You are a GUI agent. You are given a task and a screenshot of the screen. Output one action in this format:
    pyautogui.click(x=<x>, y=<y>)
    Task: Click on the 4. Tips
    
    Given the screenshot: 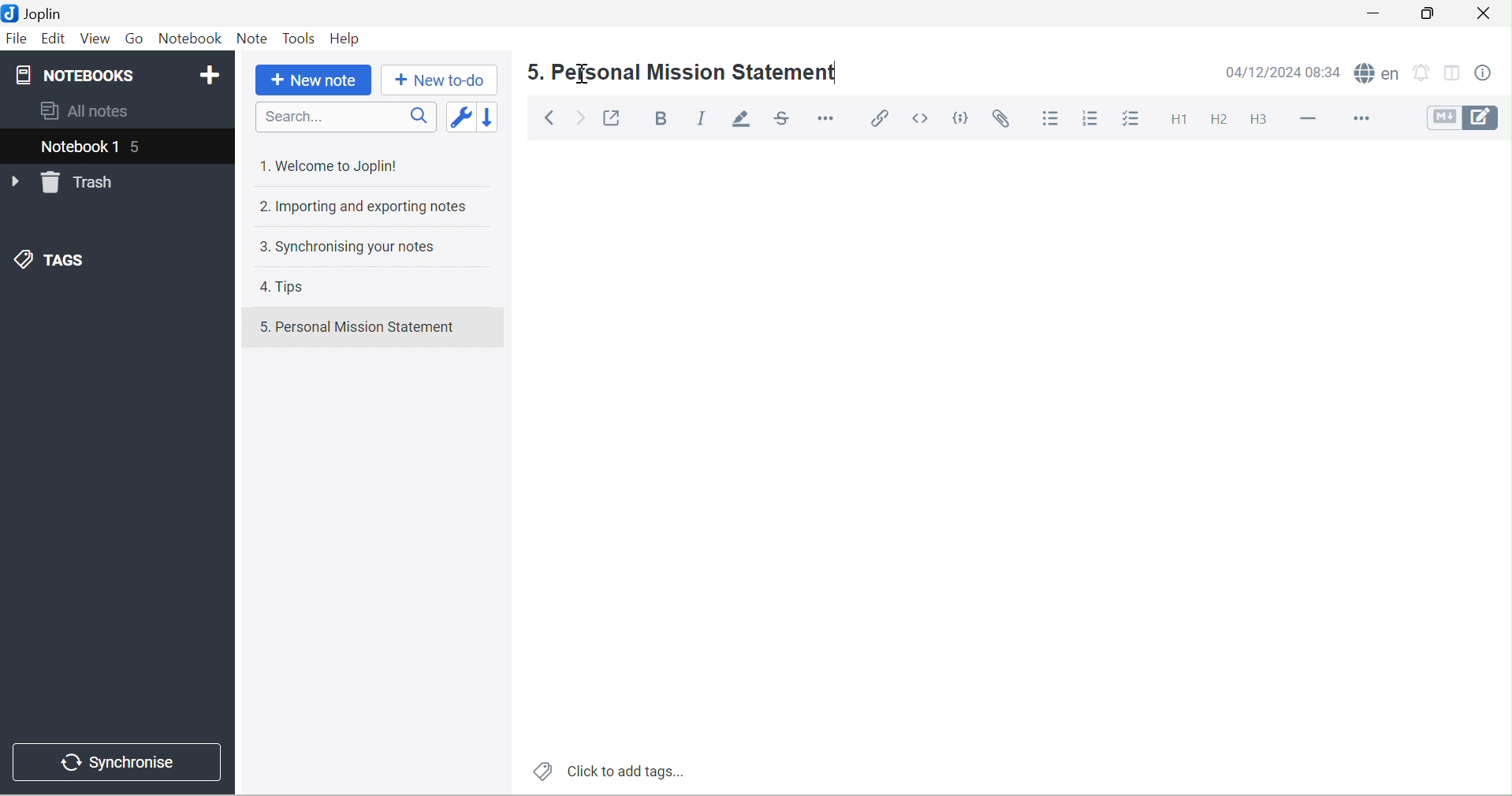 What is the action you would take?
    pyautogui.click(x=281, y=287)
    